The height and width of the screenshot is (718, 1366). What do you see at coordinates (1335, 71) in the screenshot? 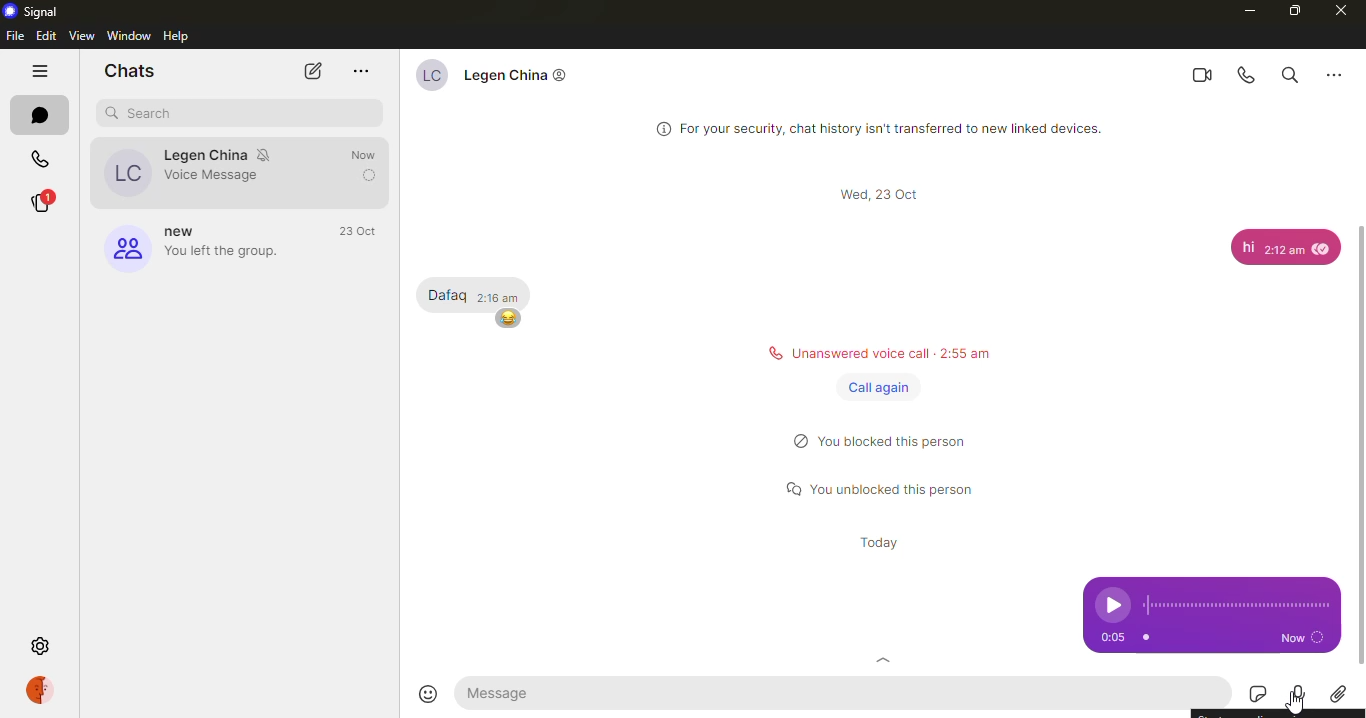
I see `more` at bounding box center [1335, 71].